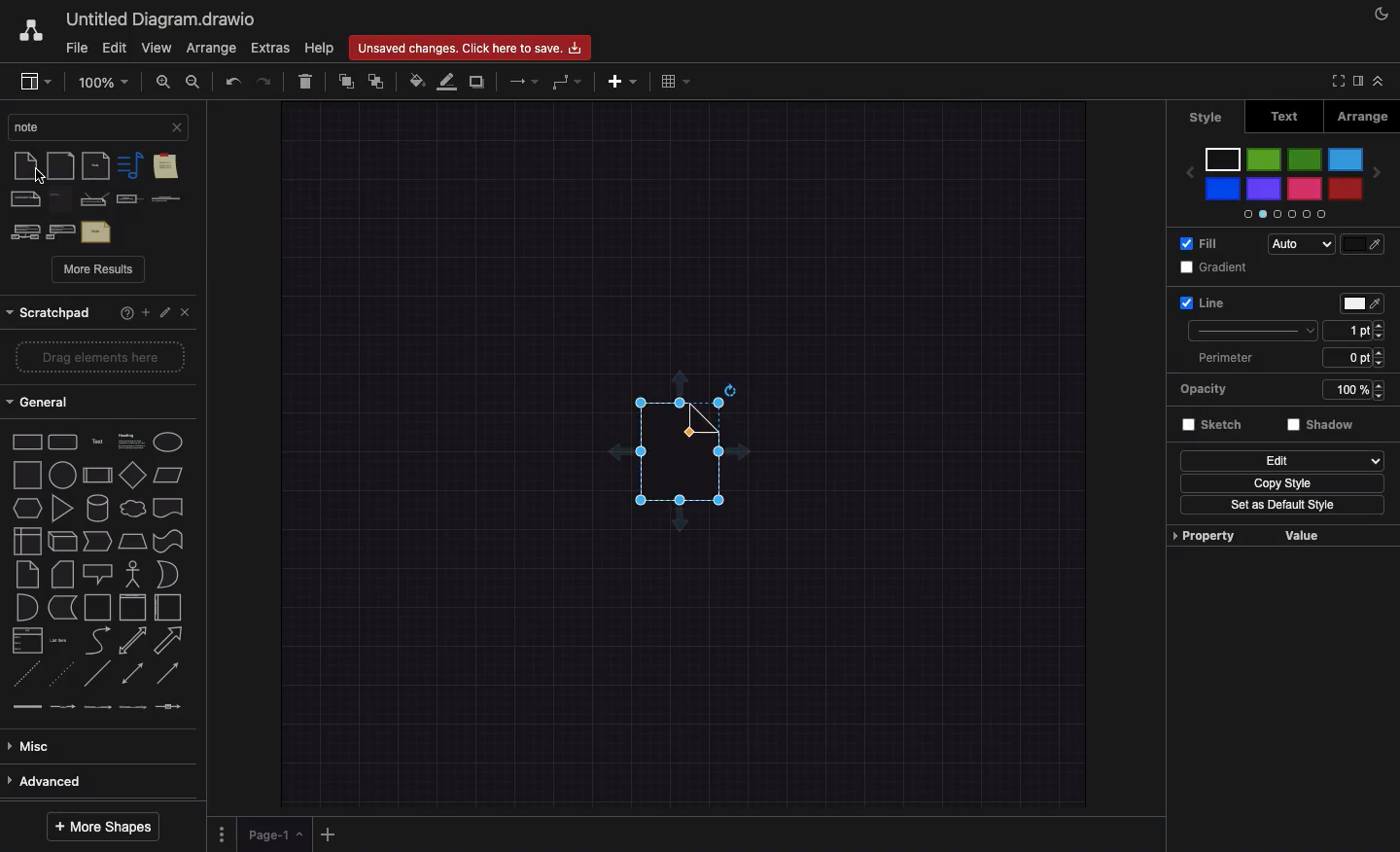  What do you see at coordinates (91, 745) in the screenshot?
I see `misc` at bounding box center [91, 745].